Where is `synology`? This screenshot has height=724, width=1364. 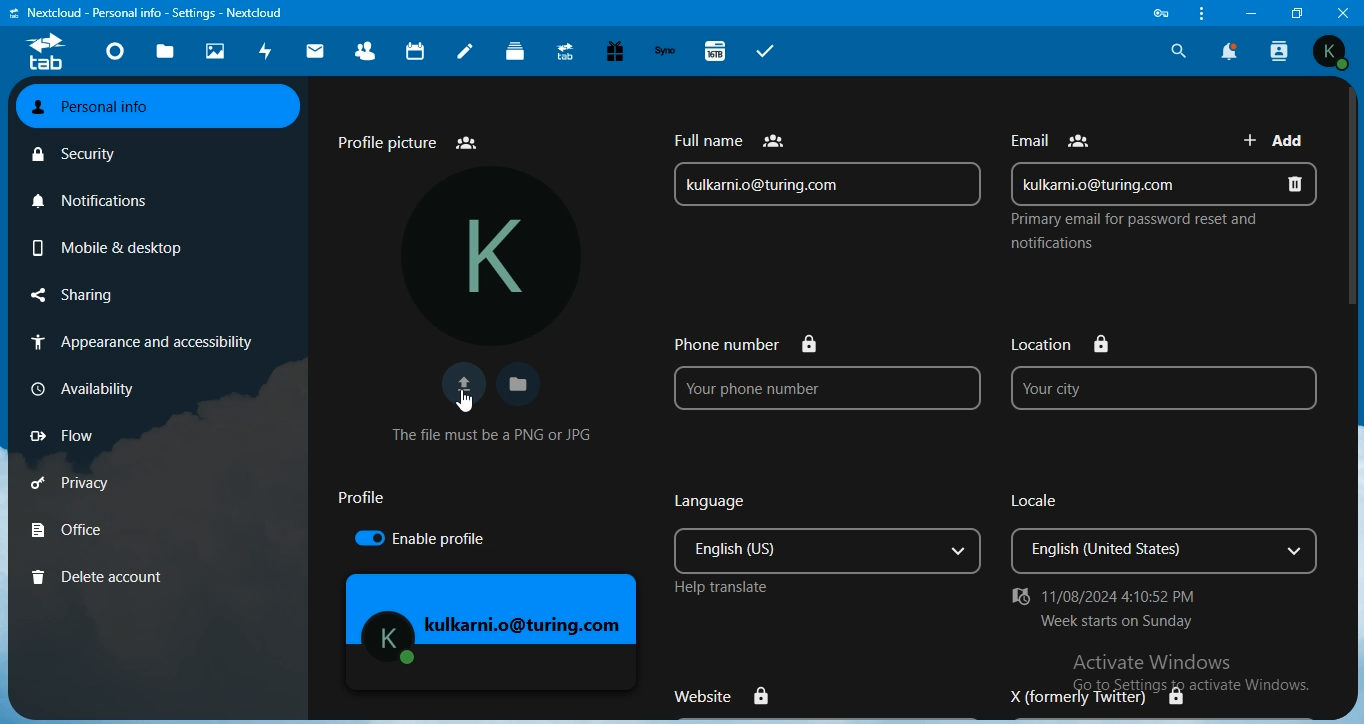 synology is located at coordinates (668, 51).